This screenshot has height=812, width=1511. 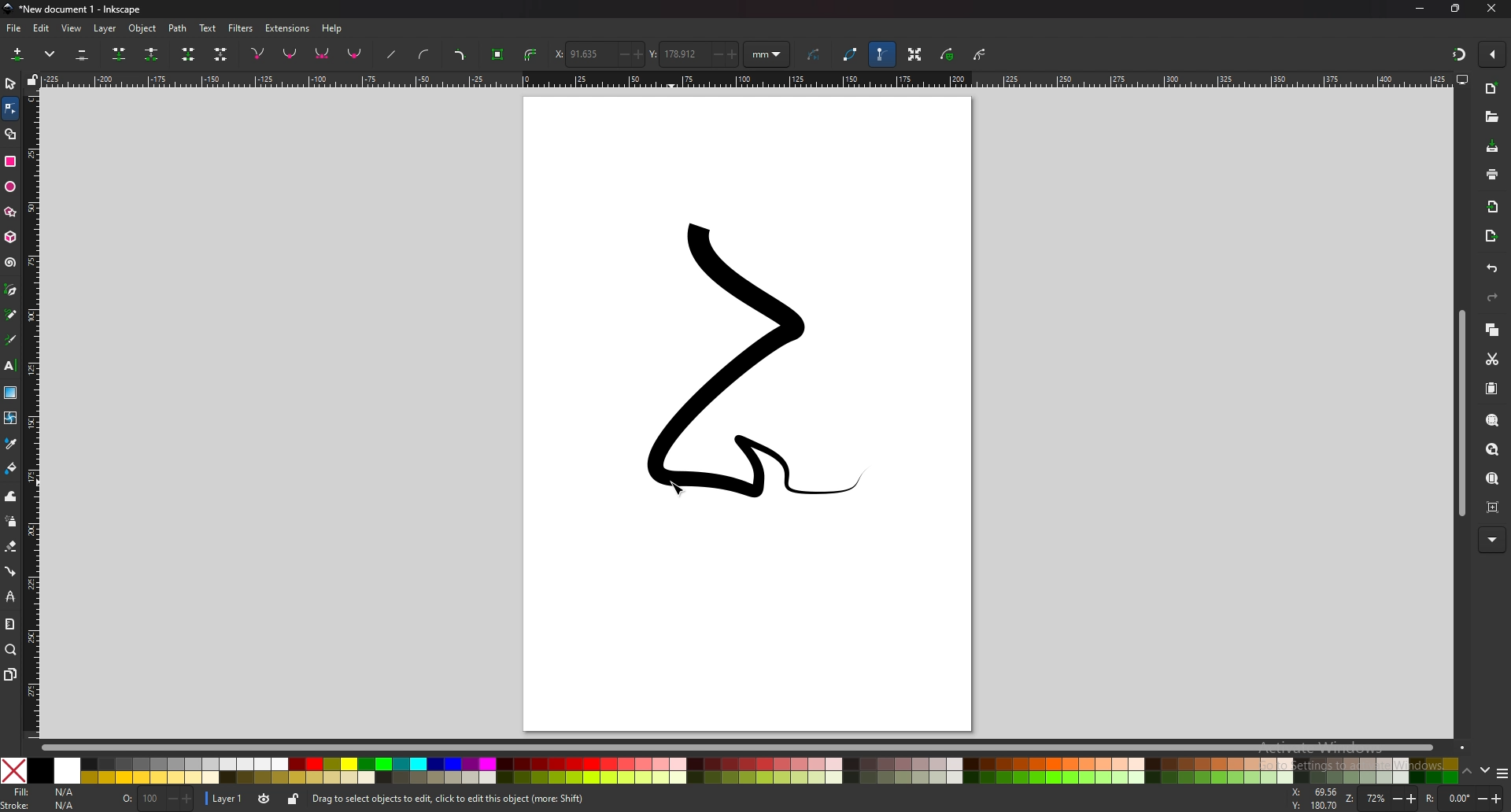 I want to click on paint bucket, so click(x=10, y=469).